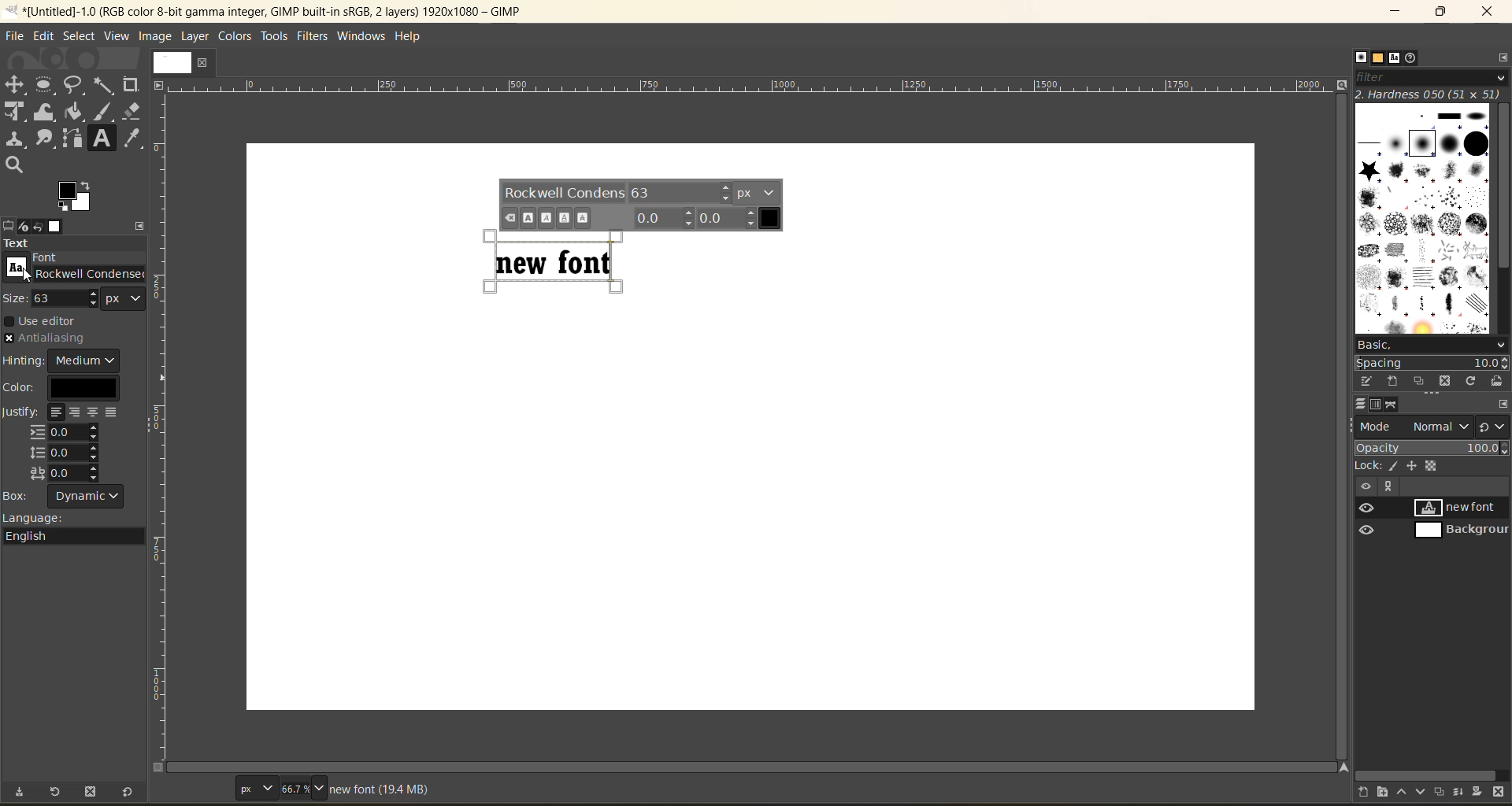  Describe the element at coordinates (76, 265) in the screenshot. I see `font` at that location.